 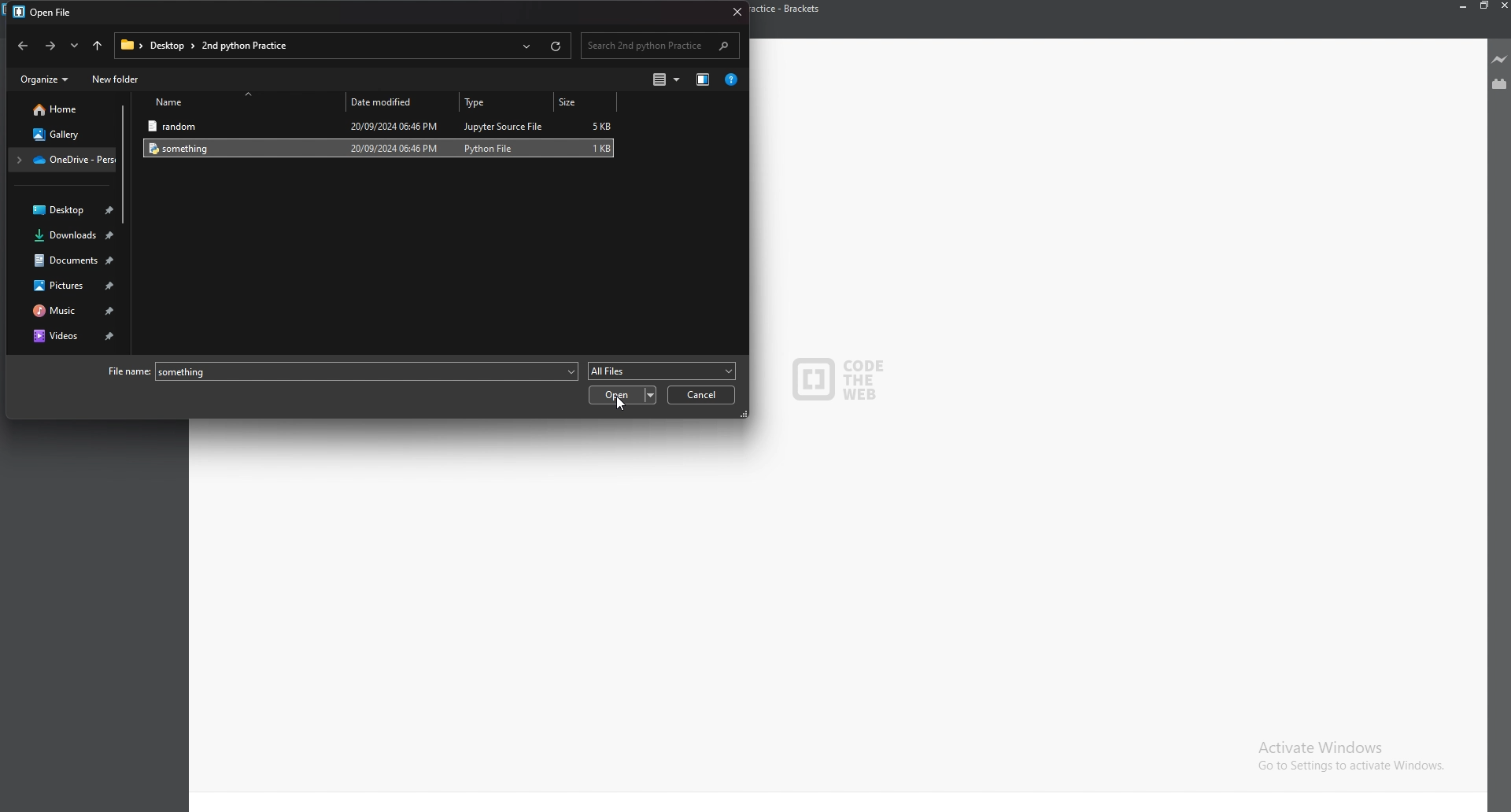 I want to click on desktop, so click(x=169, y=46).